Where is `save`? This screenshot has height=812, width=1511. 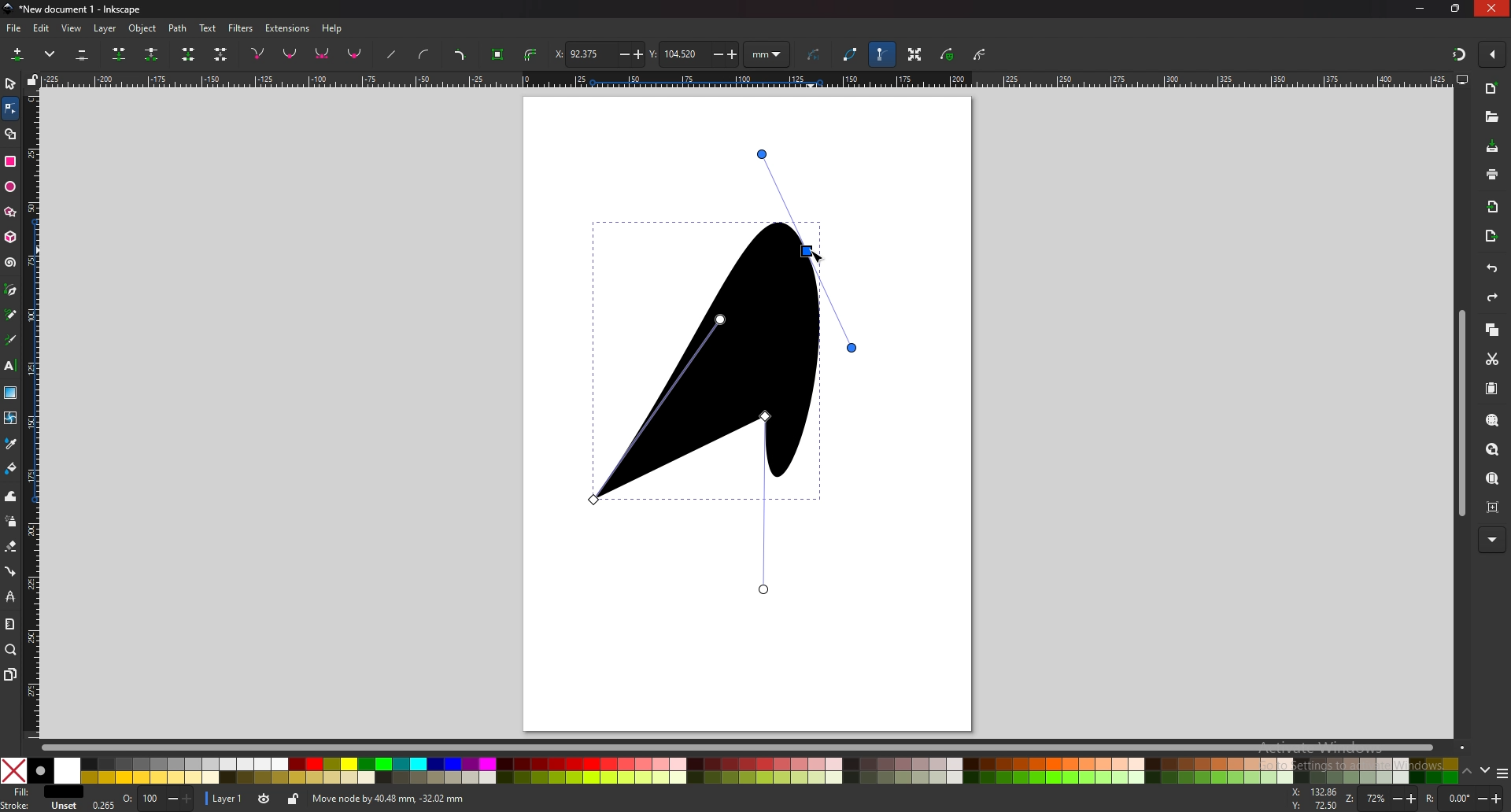
save is located at coordinates (1494, 148).